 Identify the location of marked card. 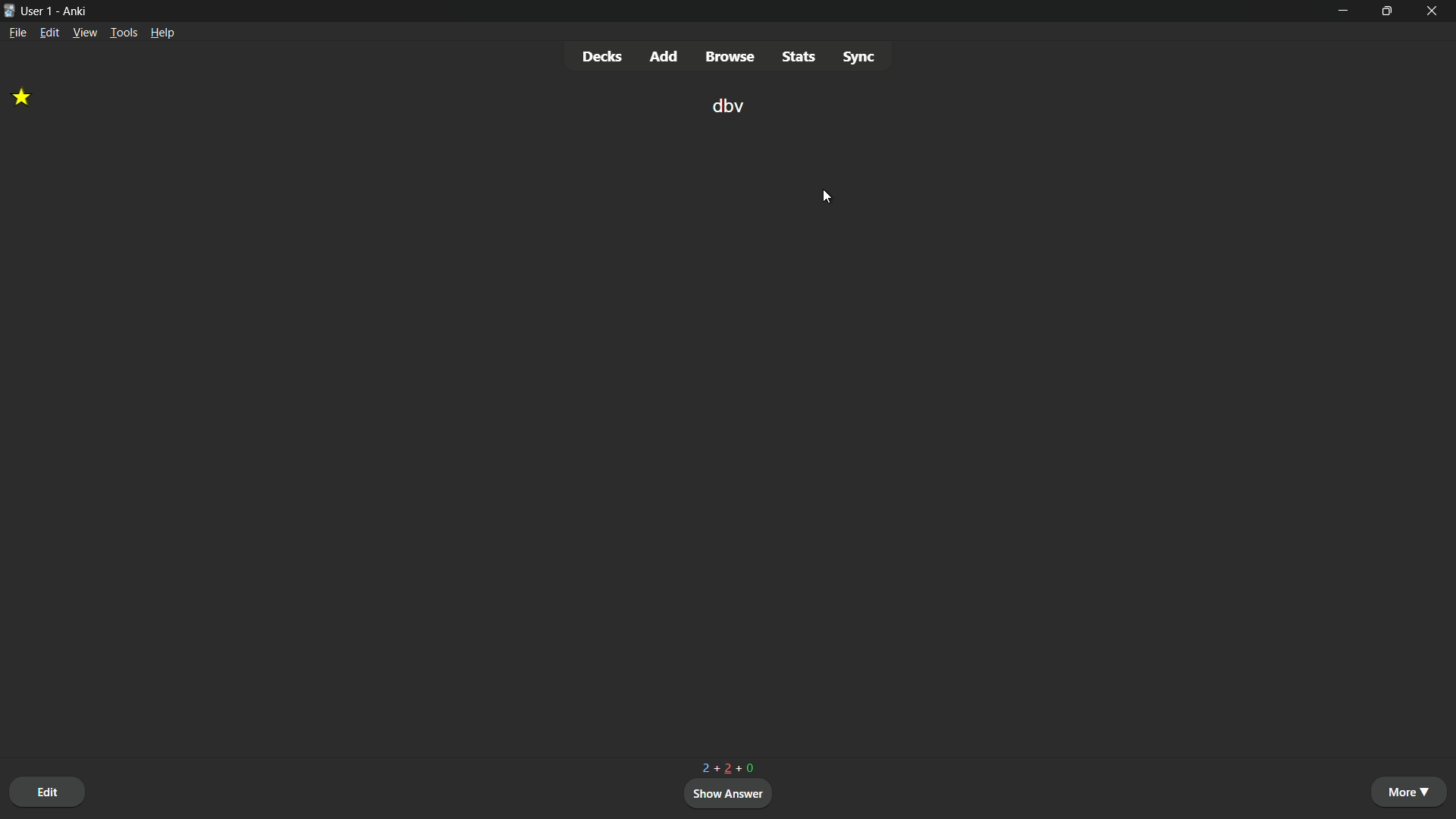
(25, 97).